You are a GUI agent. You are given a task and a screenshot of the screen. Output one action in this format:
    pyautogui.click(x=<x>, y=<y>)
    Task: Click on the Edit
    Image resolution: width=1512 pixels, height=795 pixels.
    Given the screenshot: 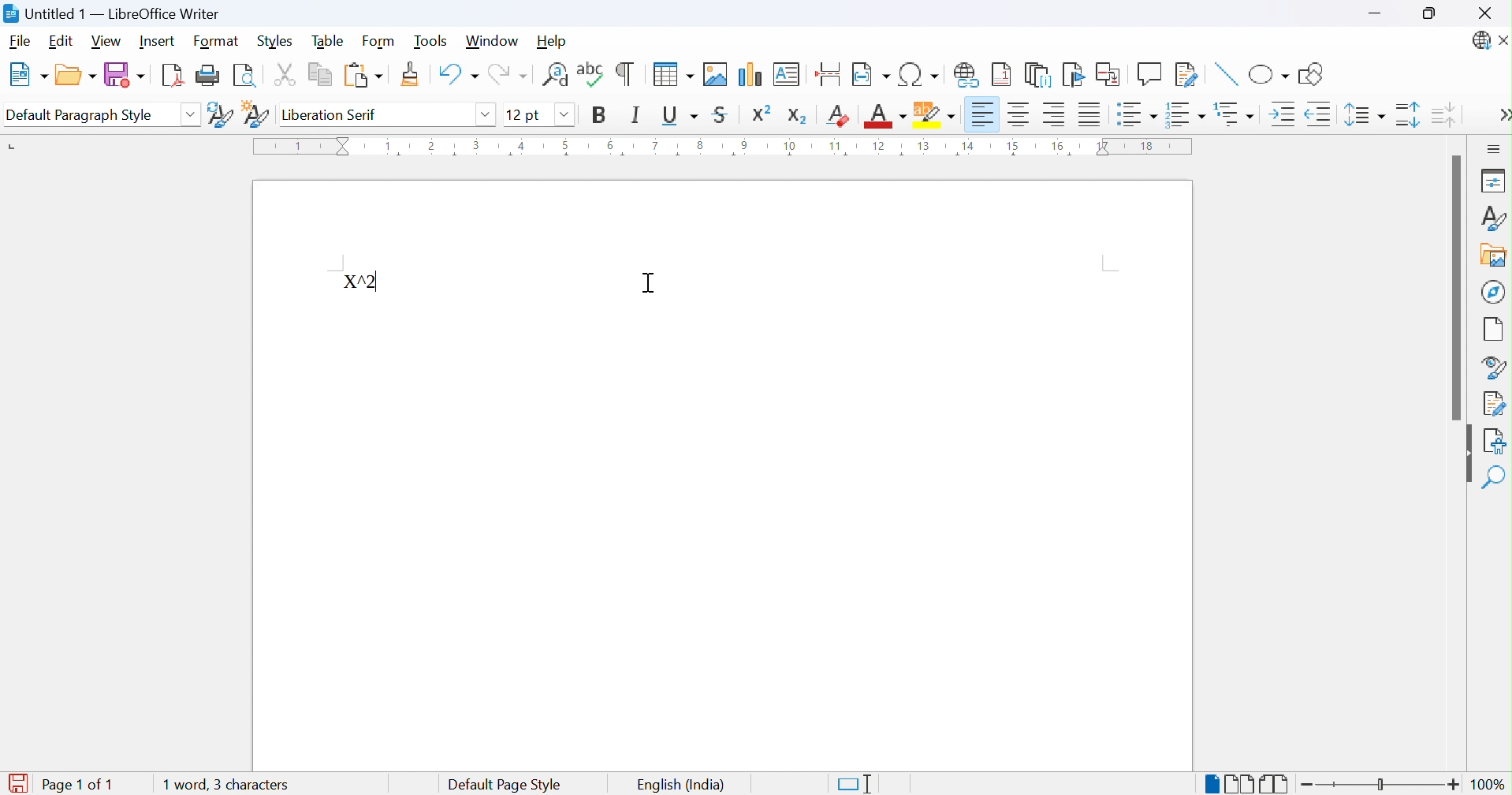 What is the action you would take?
    pyautogui.click(x=61, y=42)
    